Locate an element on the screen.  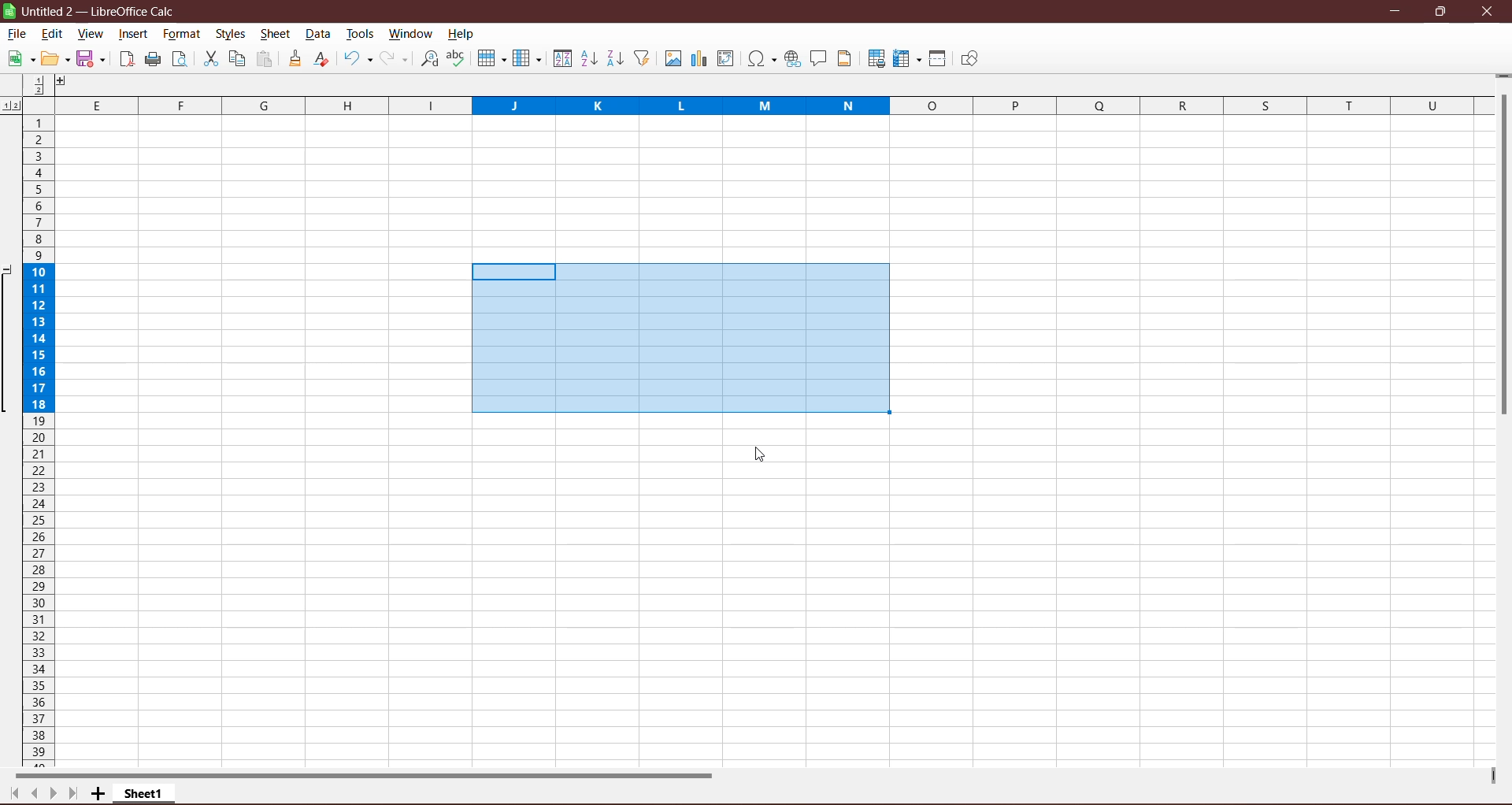
Save is located at coordinates (93, 60).